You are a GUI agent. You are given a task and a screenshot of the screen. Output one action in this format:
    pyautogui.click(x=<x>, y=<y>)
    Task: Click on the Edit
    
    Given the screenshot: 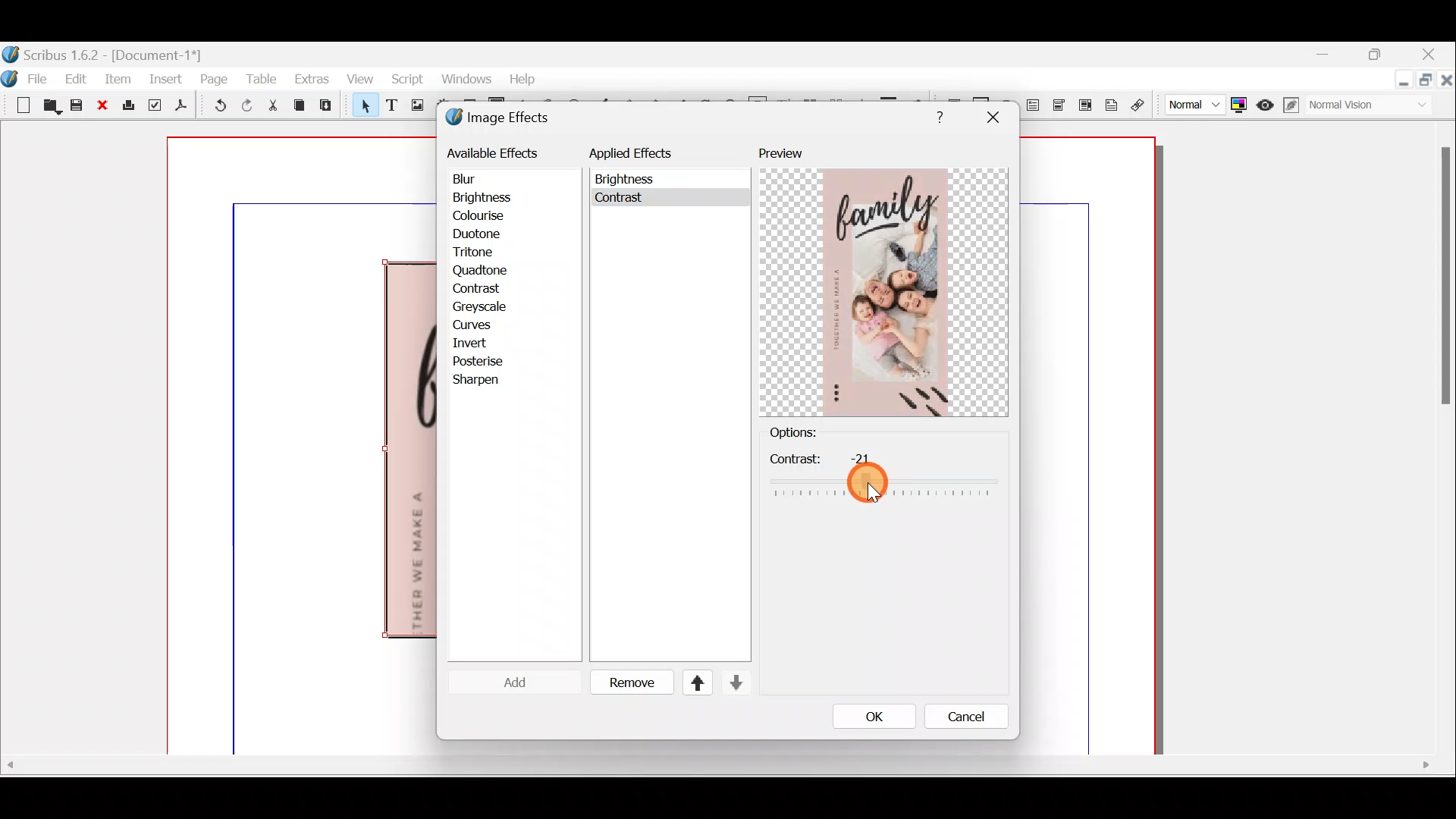 What is the action you would take?
    pyautogui.click(x=78, y=78)
    